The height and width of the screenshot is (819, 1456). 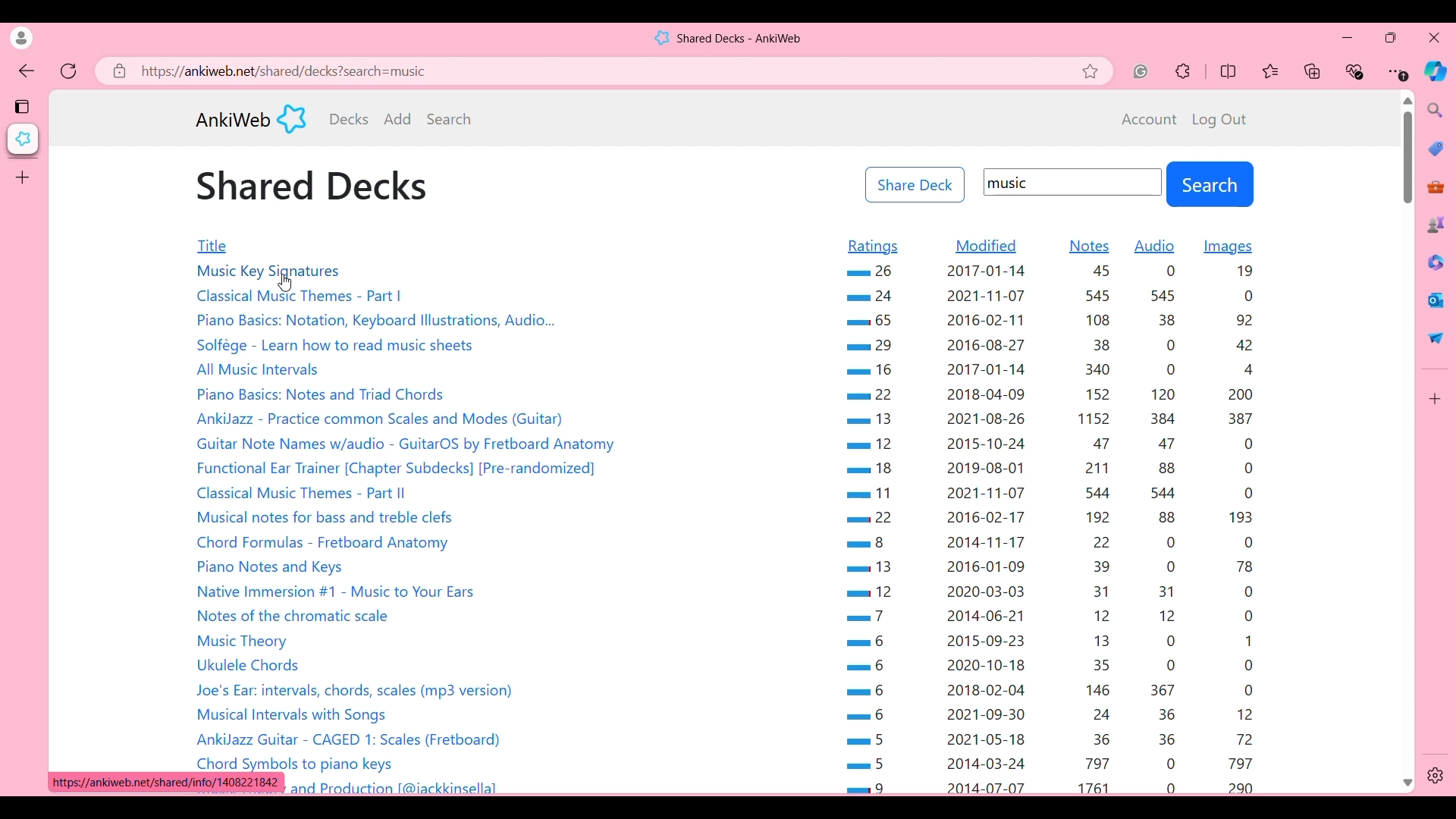 I want to click on 6 2020-10-18 35 0 0, so click(x=1054, y=664).